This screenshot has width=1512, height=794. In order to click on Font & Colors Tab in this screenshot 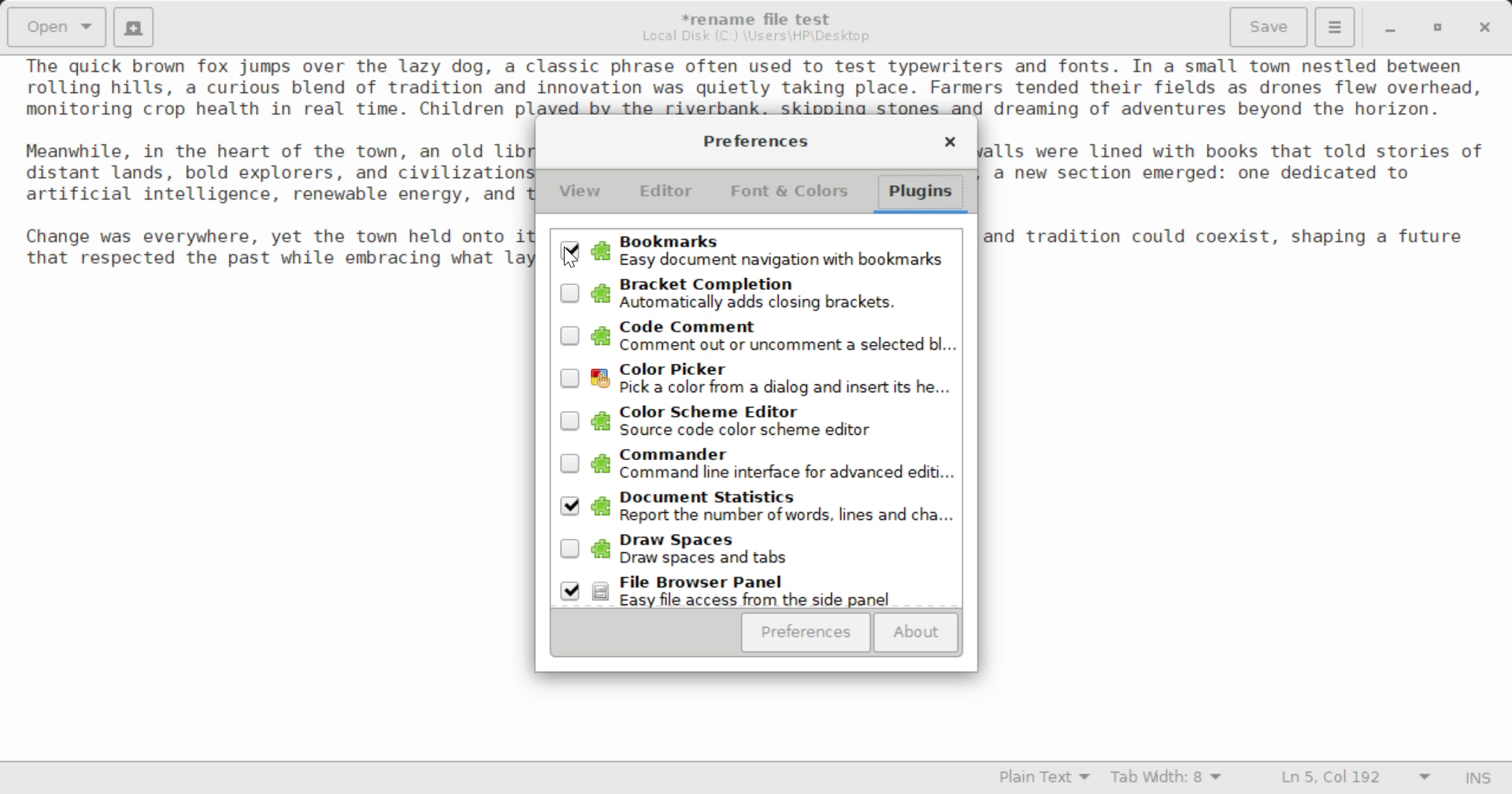, I will do `click(789, 197)`.